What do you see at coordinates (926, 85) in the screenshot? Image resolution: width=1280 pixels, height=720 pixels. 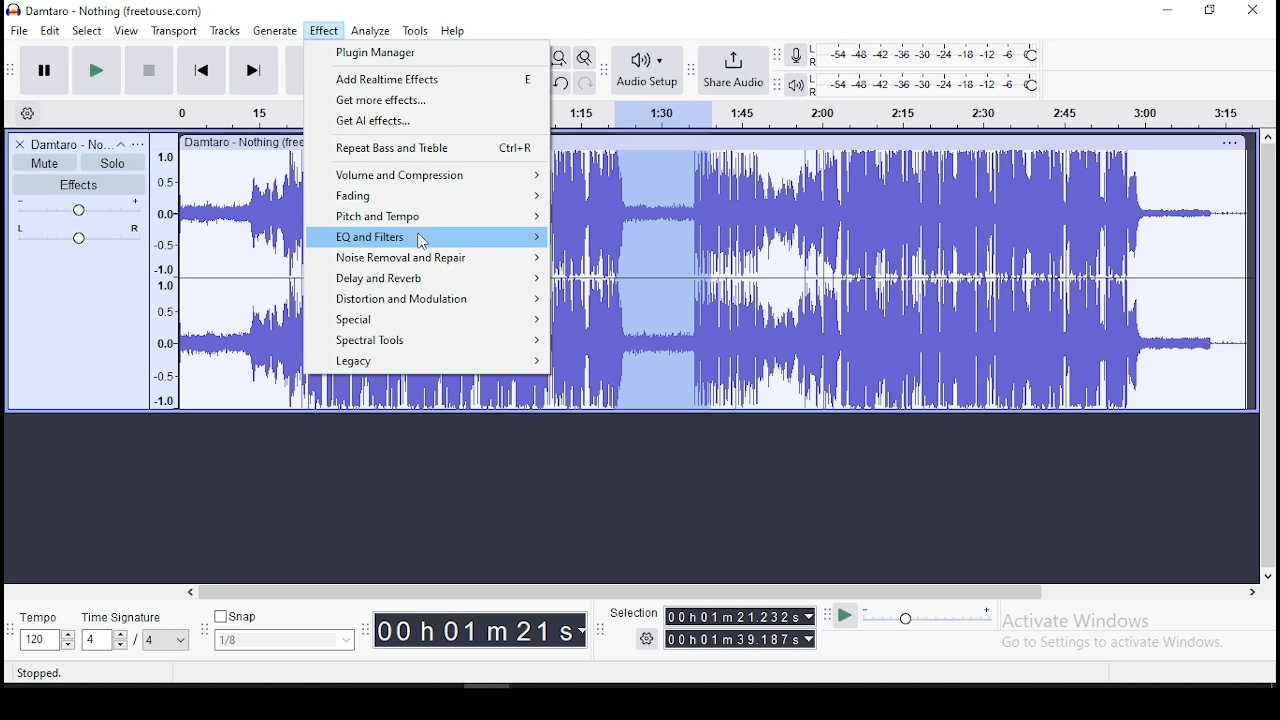 I see `playback level` at bounding box center [926, 85].